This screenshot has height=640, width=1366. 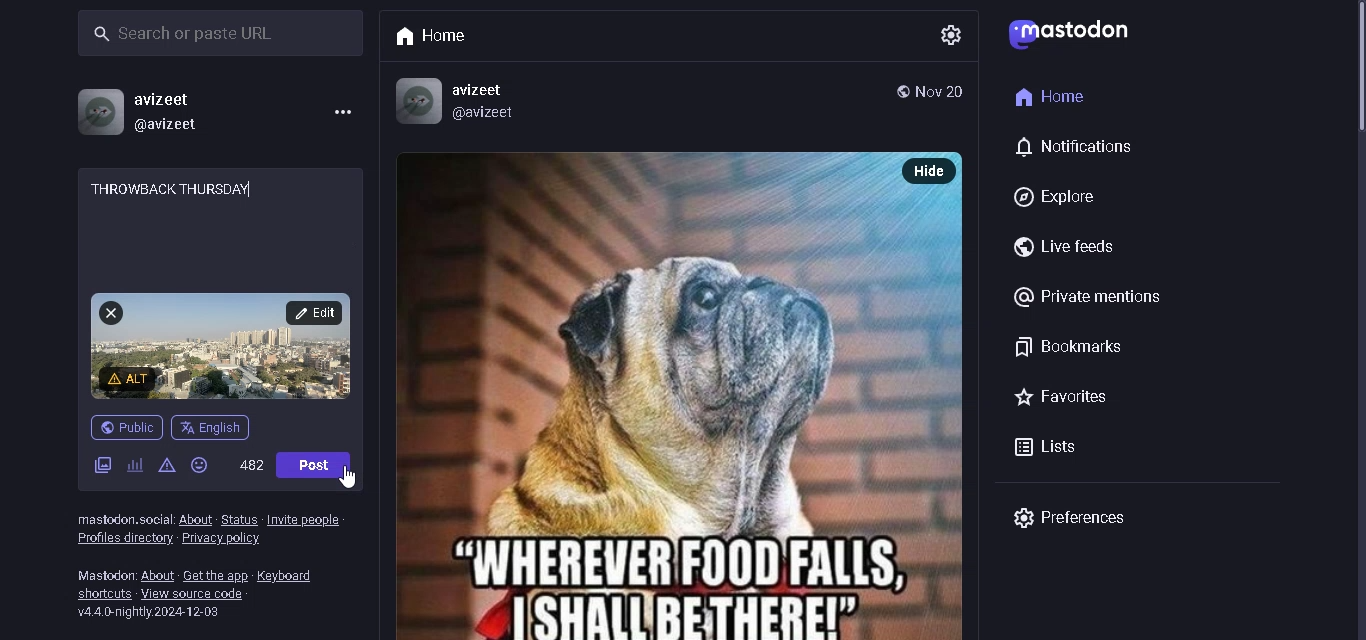 I want to click on text, so click(x=98, y=575).